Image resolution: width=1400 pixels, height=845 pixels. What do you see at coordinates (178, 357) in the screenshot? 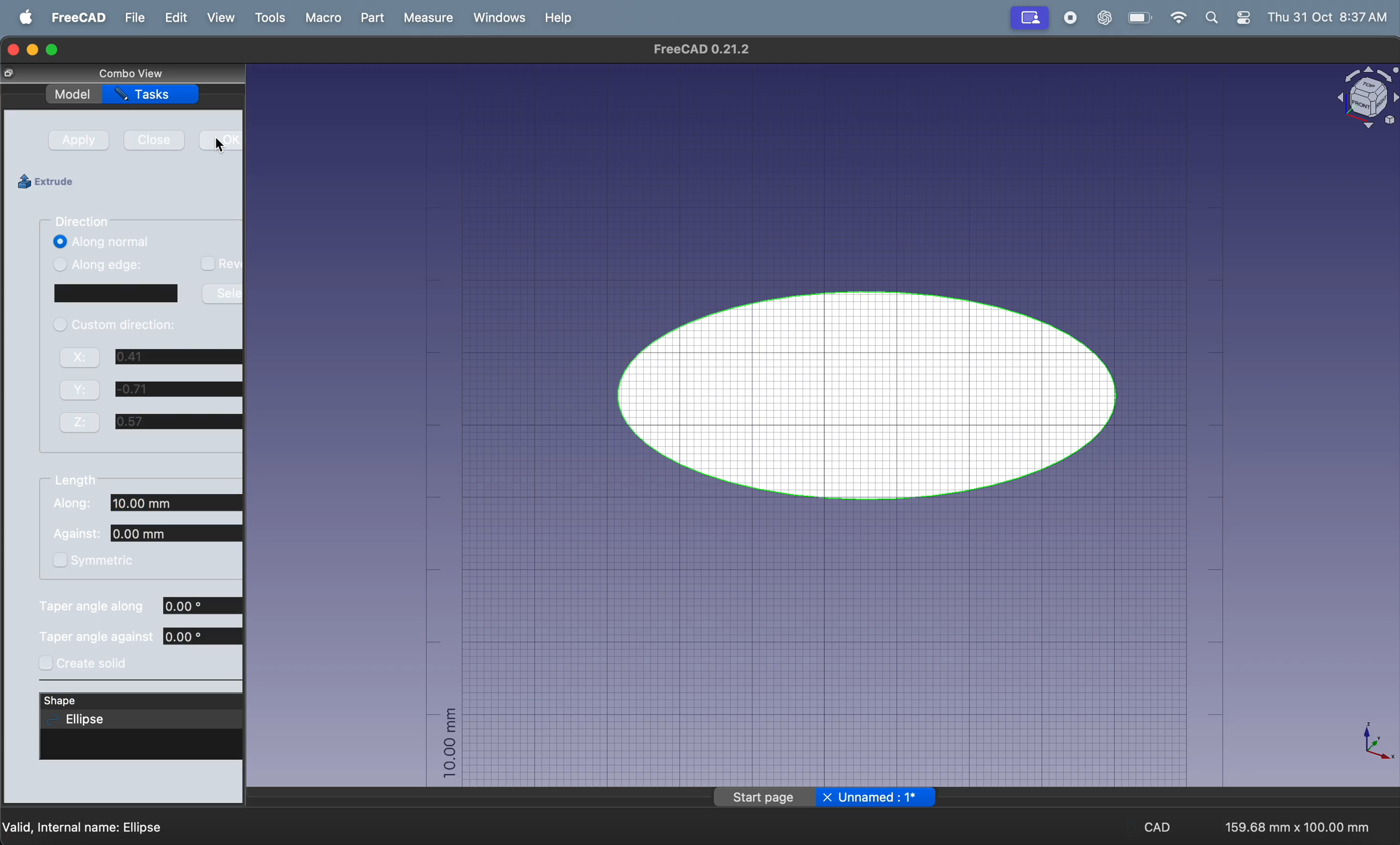
I see `0.41` at bounding box center [178, 357].